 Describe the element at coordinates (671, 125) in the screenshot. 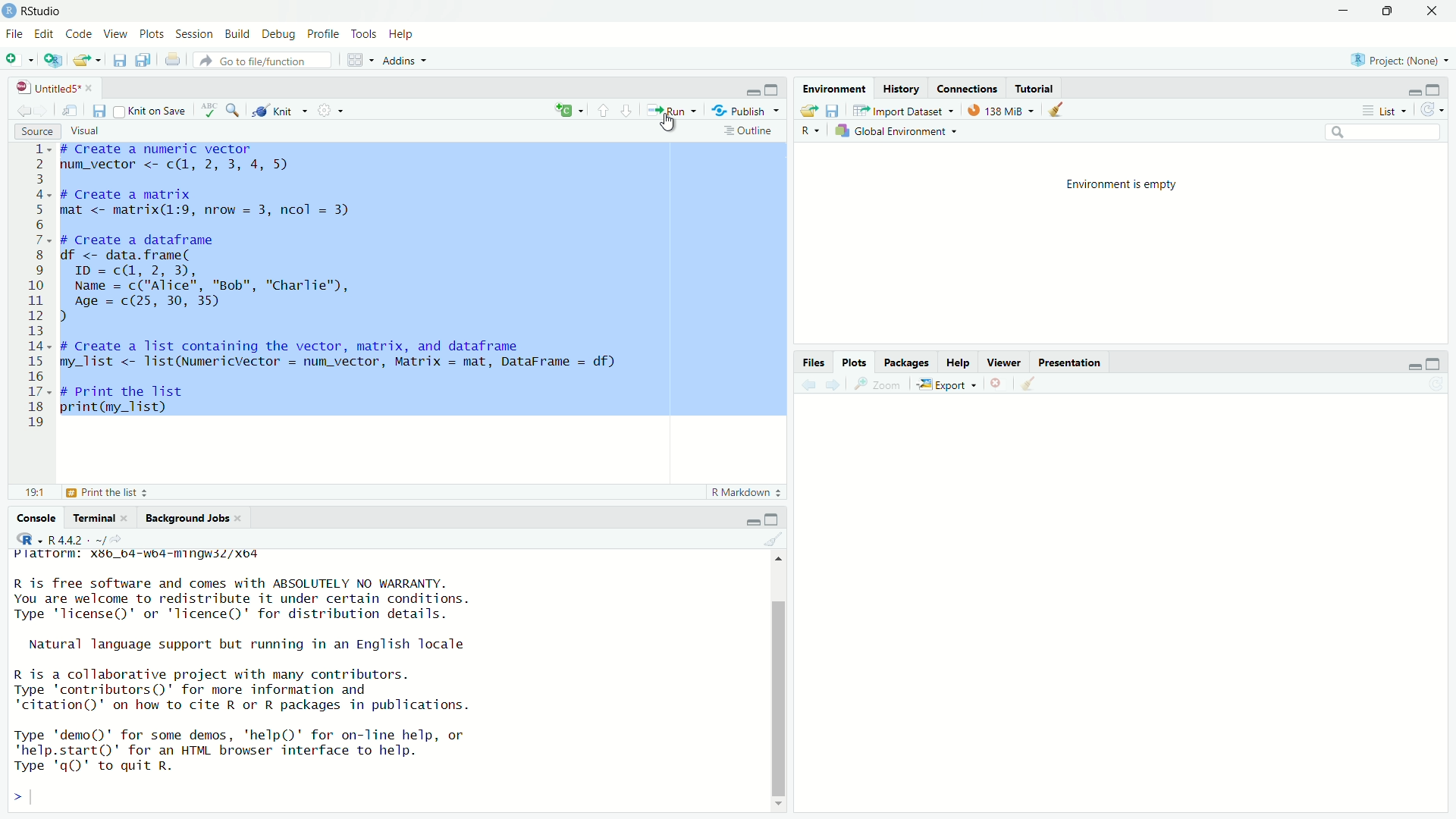

I see `cursor` at that location.